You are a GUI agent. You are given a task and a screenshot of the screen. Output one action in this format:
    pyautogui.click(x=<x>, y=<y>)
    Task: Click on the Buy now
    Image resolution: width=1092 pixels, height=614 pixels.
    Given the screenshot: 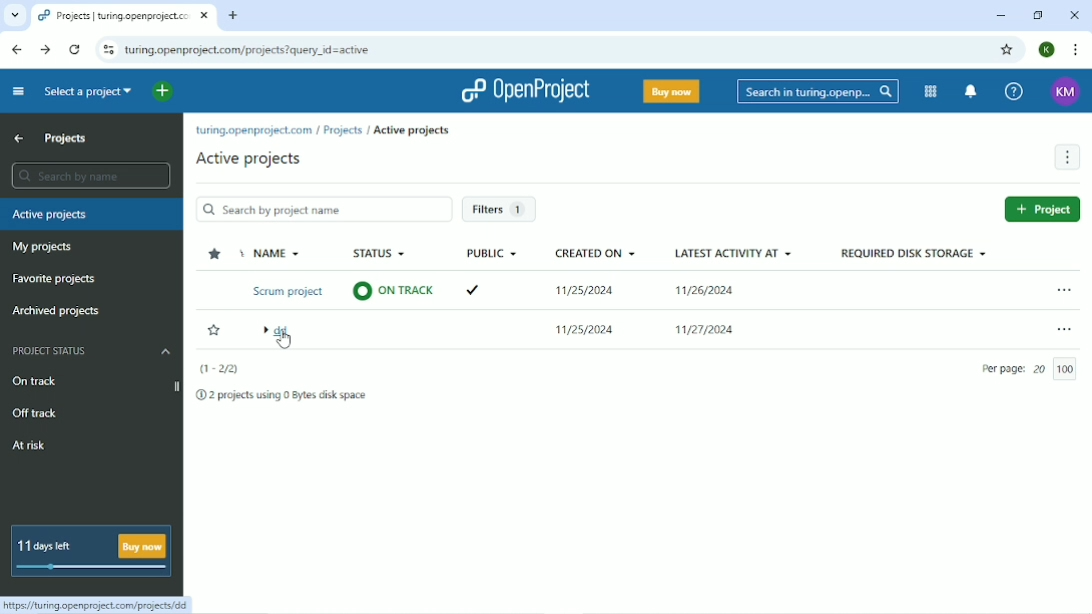 What is the action you would take?
    pyautogui.click(x=672, y=91)
    